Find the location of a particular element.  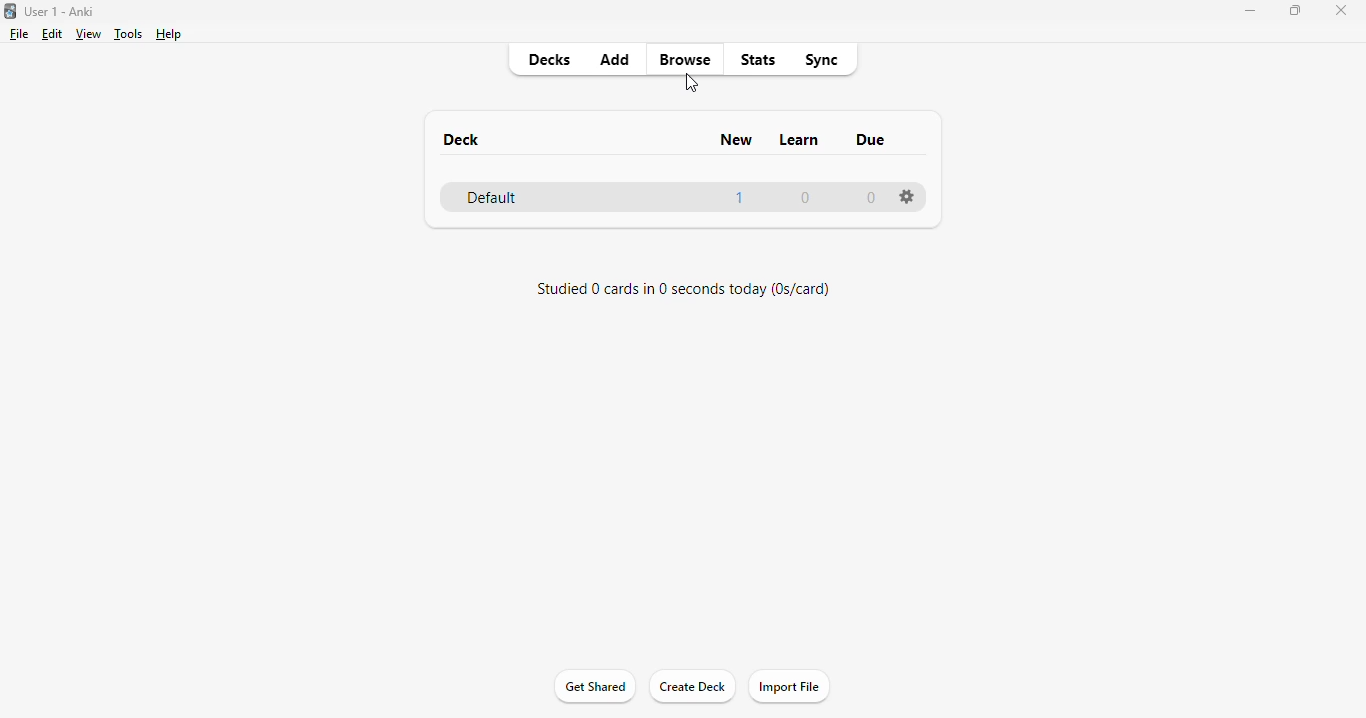

minimize is located at coordinates (1251, 10).